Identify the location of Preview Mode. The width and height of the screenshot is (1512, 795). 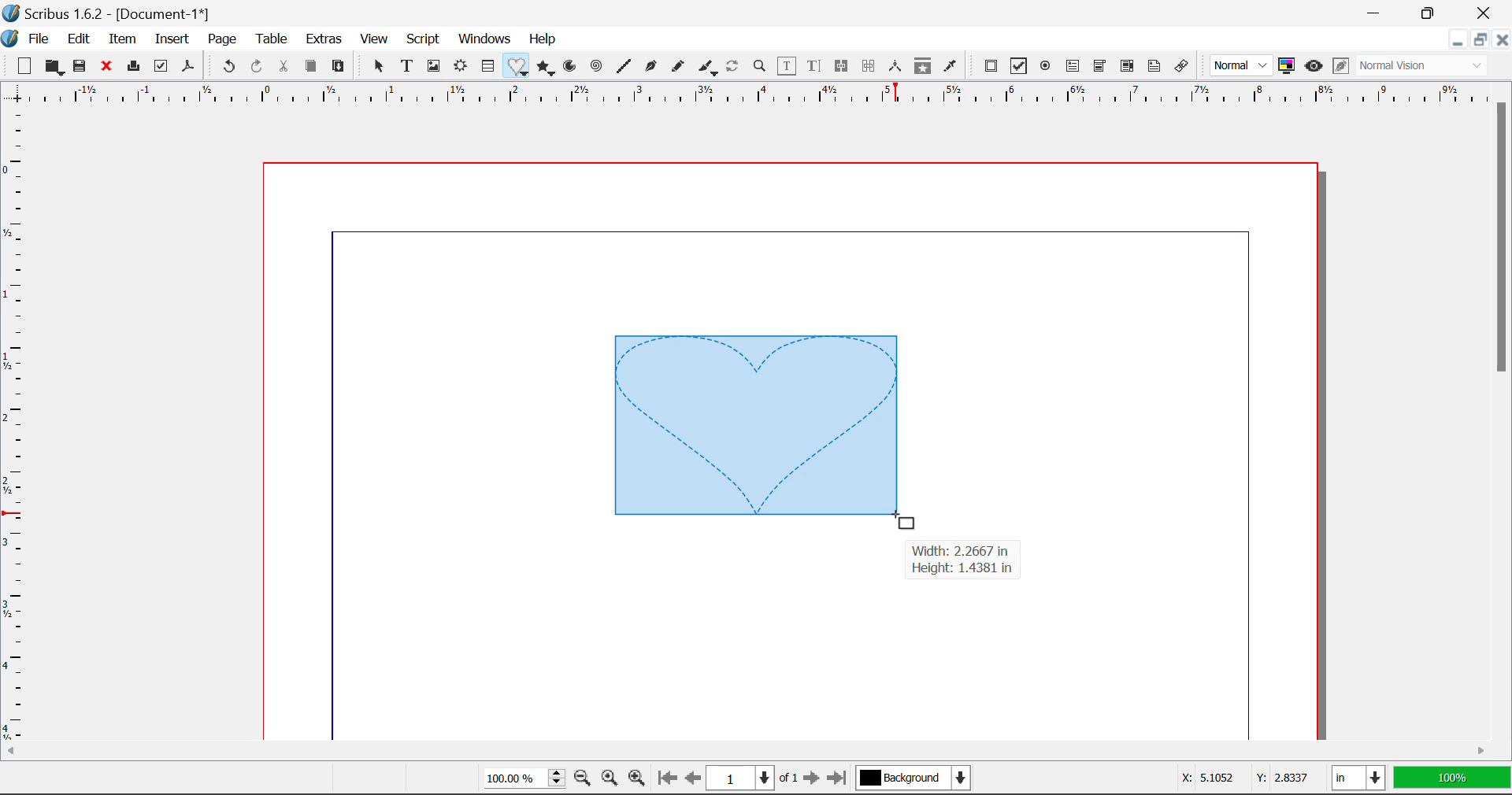
(1314, 68).